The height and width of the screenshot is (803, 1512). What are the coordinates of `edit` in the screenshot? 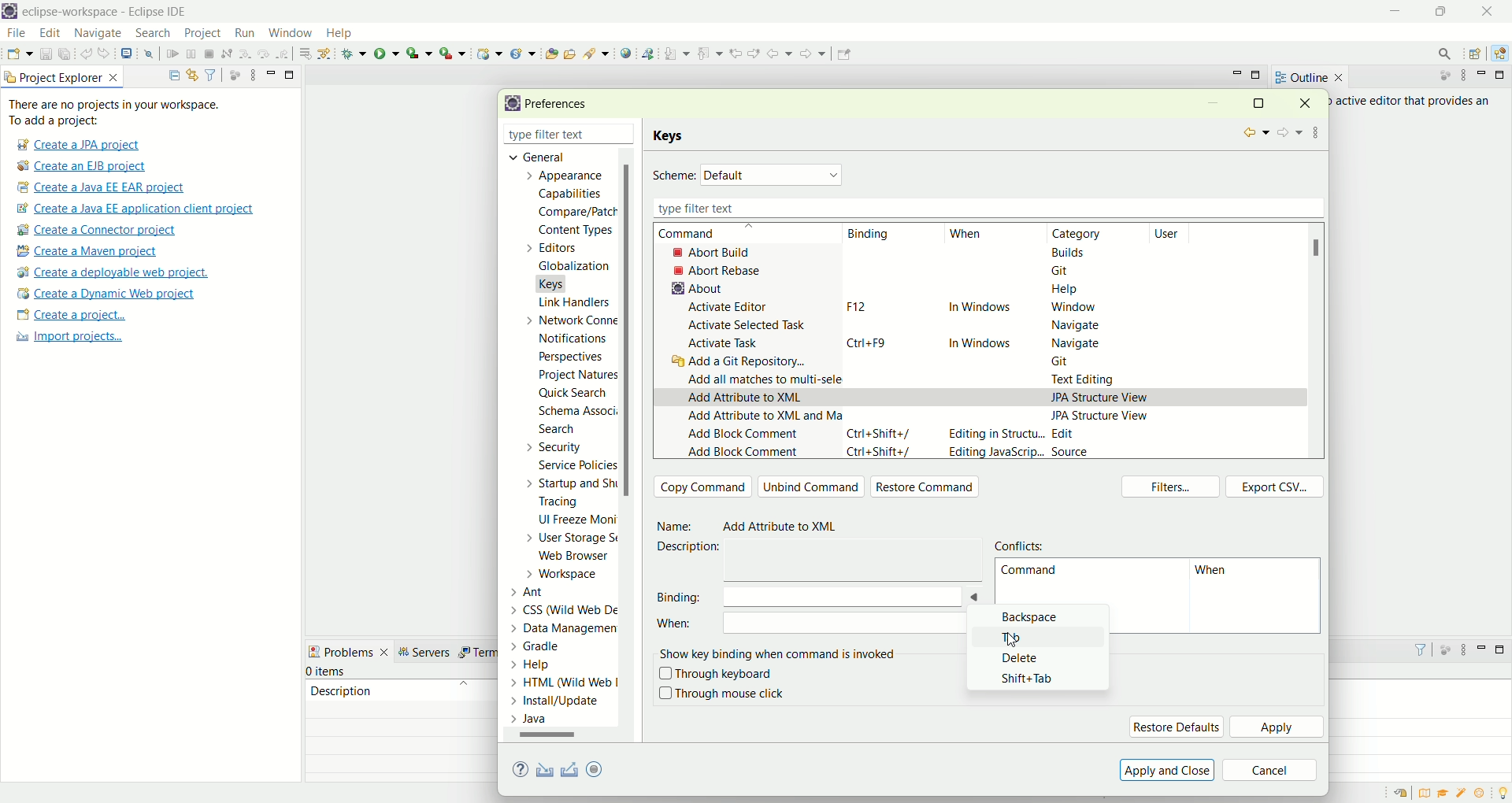 It's located at (48, 34).